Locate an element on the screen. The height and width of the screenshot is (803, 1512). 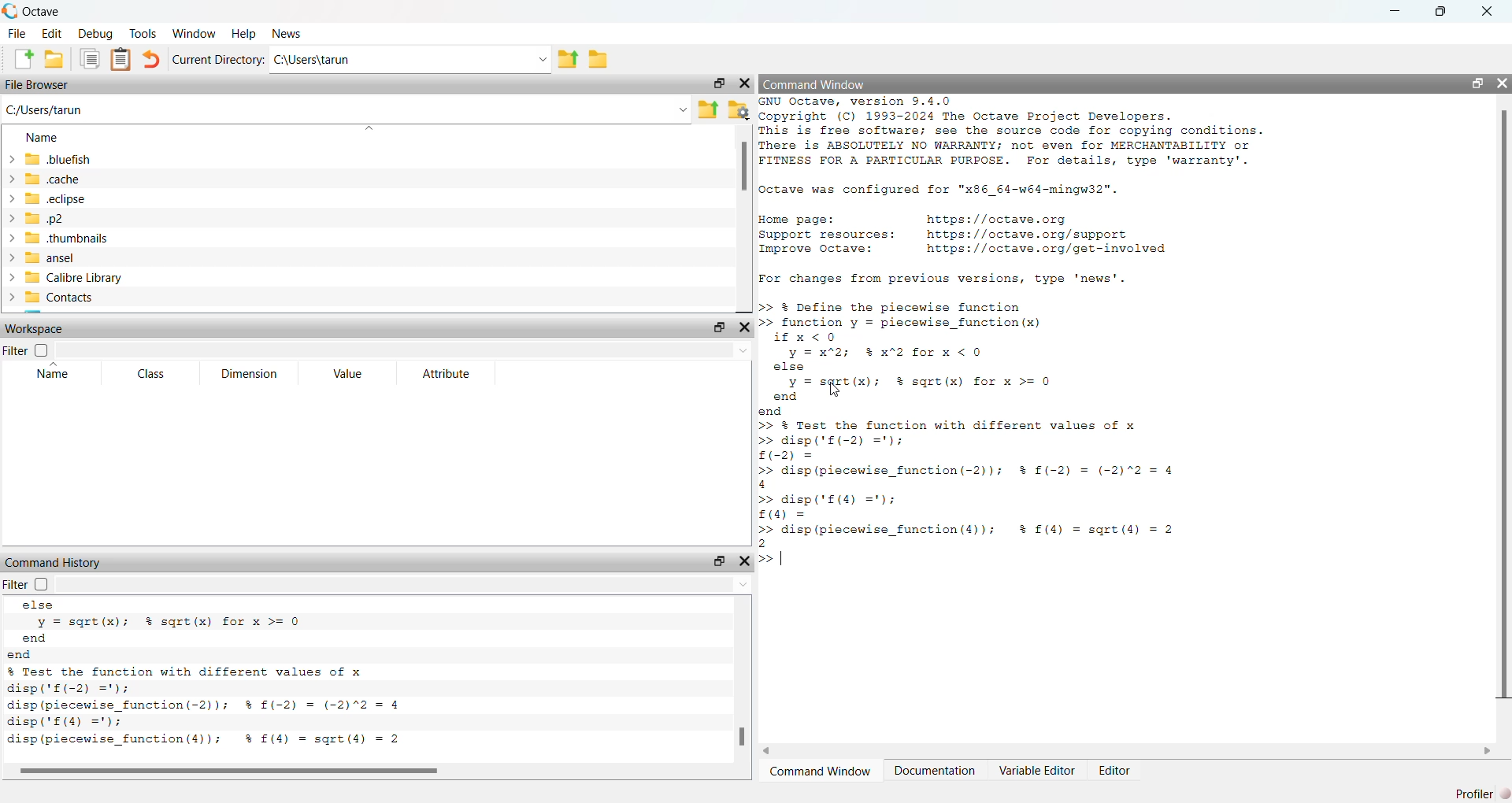
Minimize is located at coordinates (1391, 11).